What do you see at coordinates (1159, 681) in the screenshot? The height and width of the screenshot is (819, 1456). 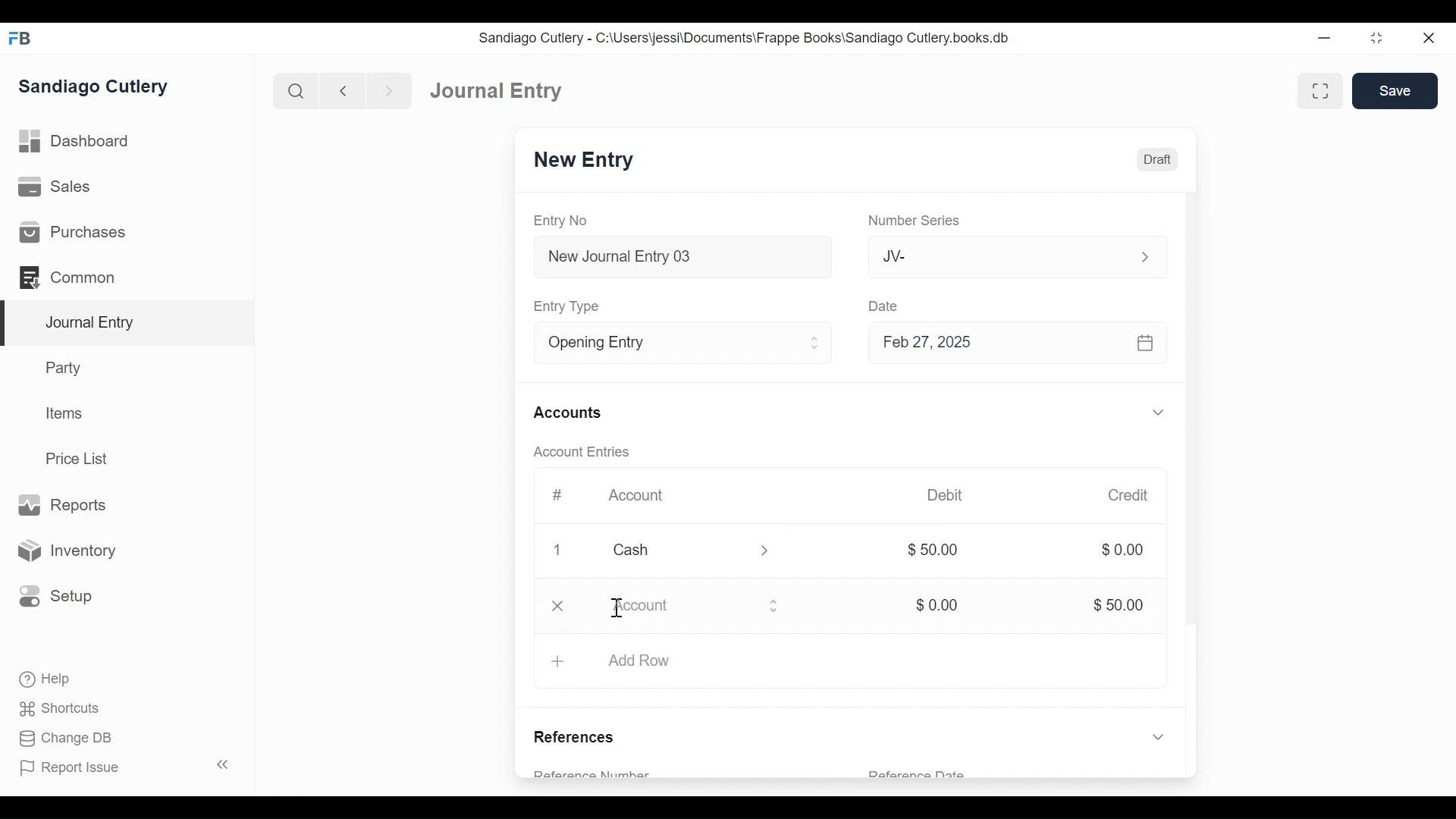 I see `Expand` at bounding box center [1159, 681].